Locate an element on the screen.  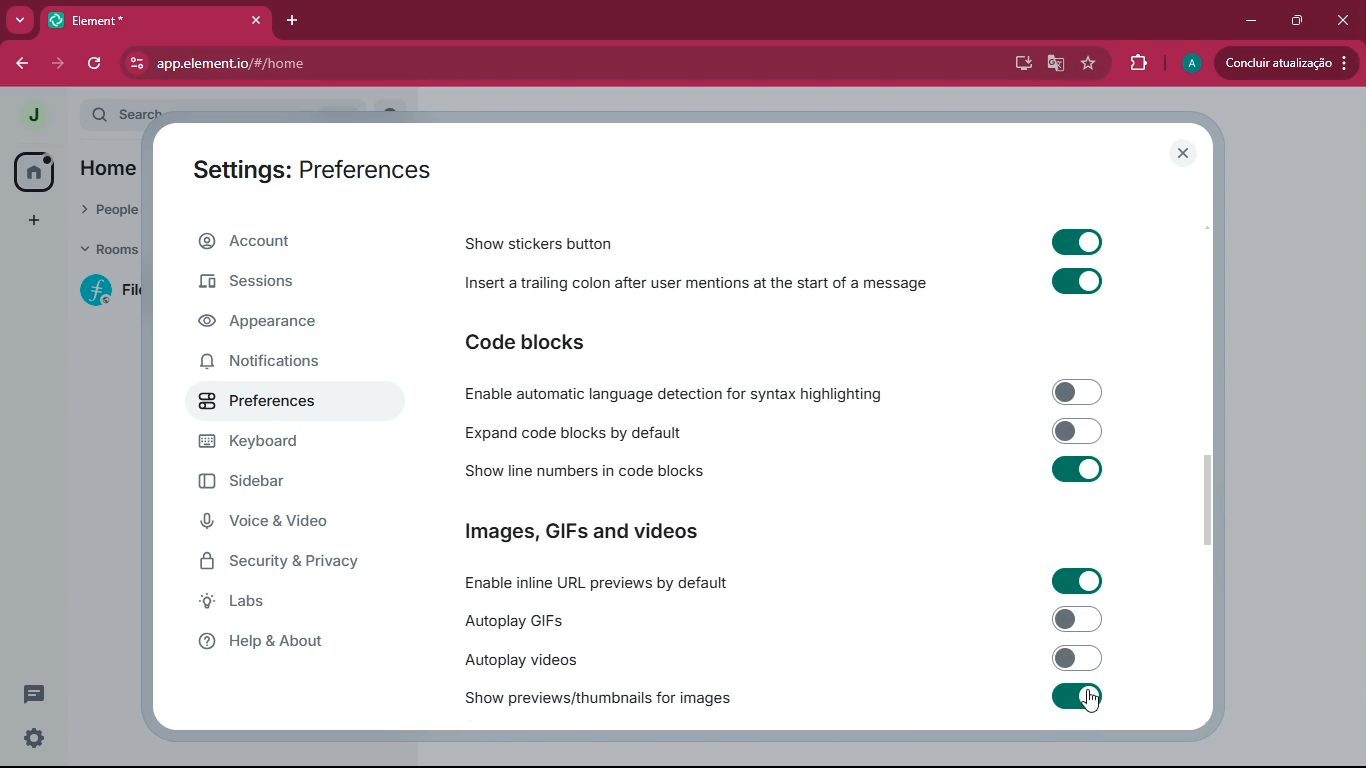
Toggle on is located at coordinates (1079, 240).